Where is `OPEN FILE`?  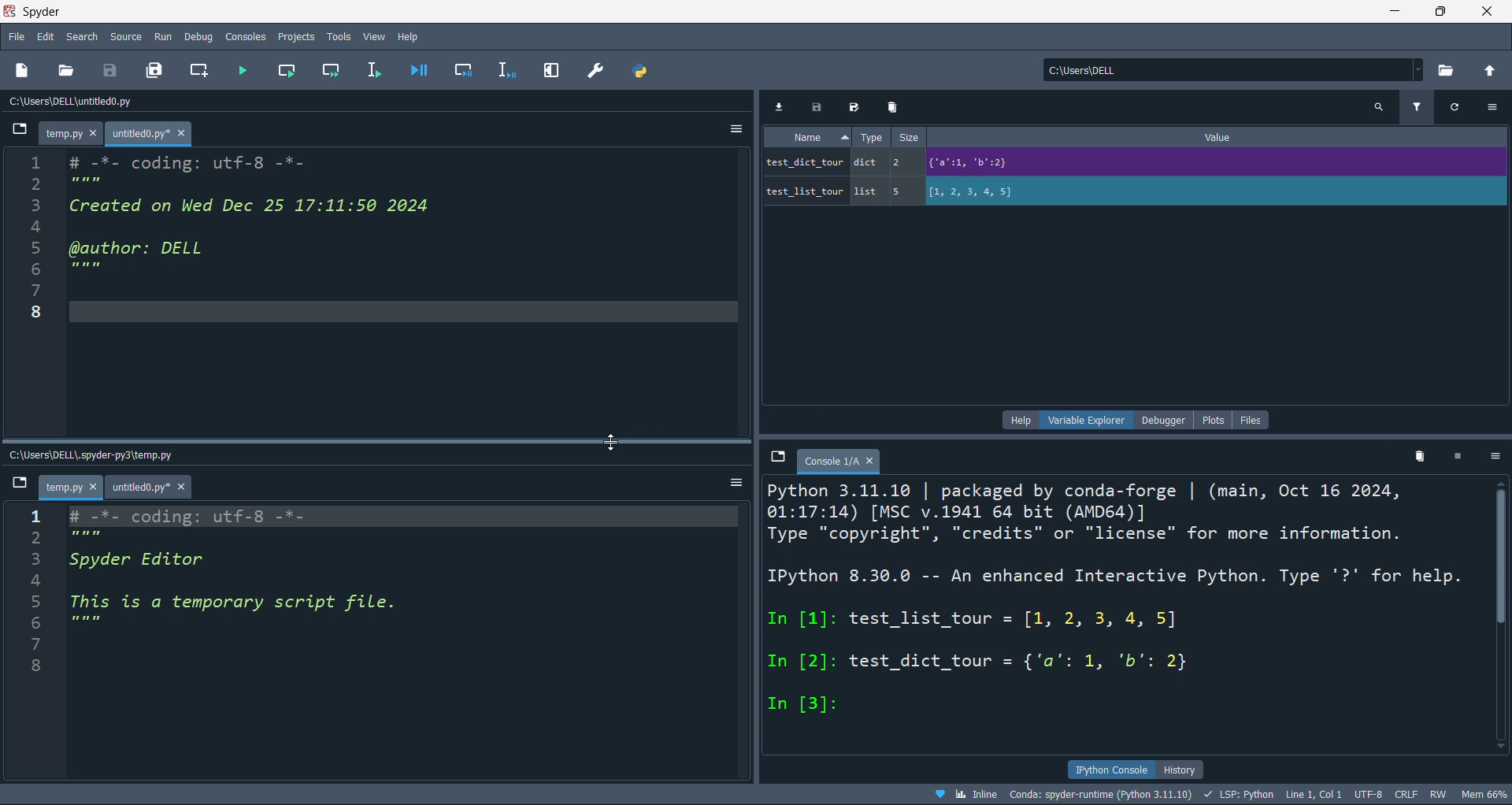
OPEN FILE is located at coordinates (66, 69).